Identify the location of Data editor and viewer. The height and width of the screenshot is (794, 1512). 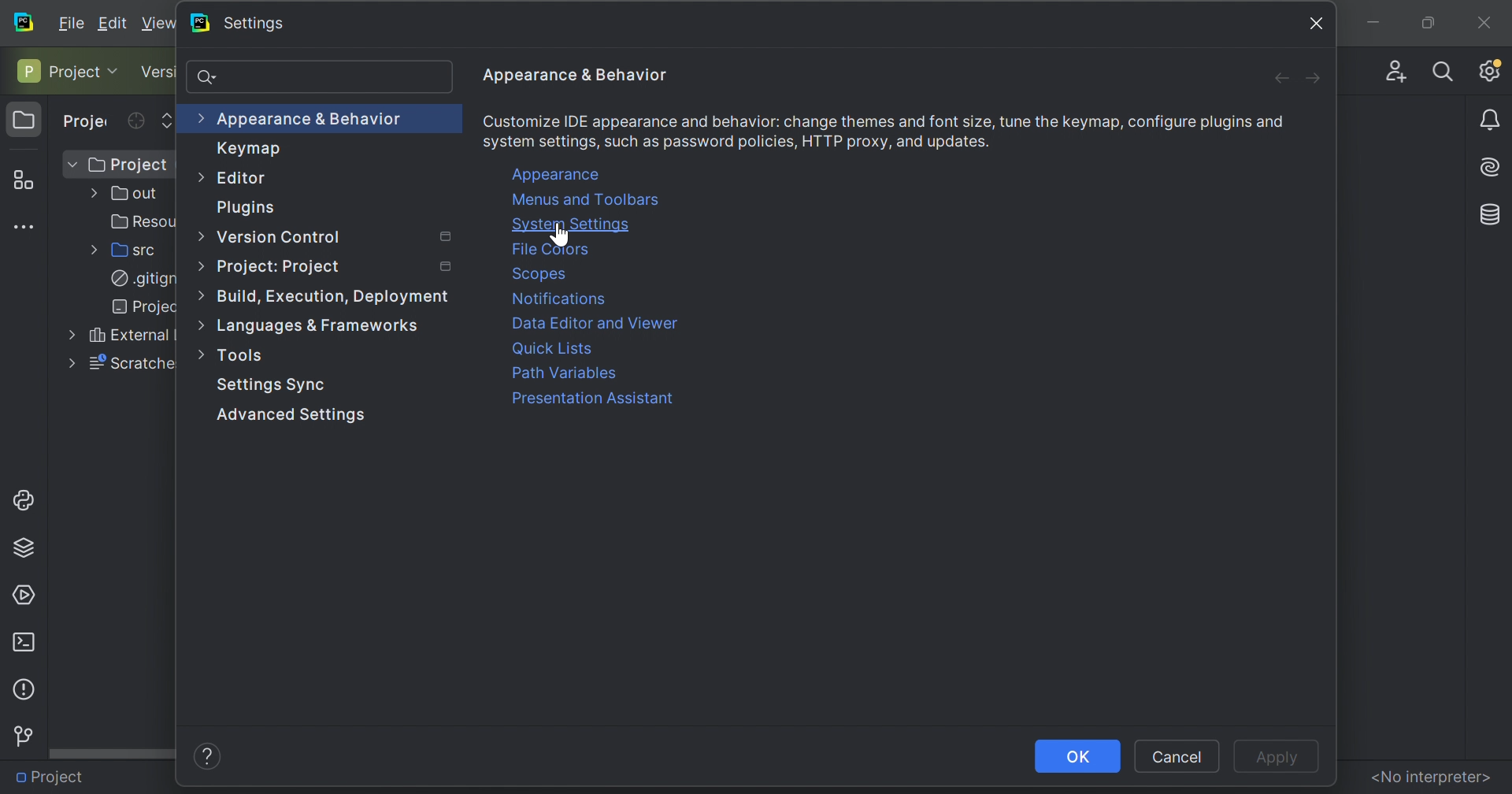
(596, 323).